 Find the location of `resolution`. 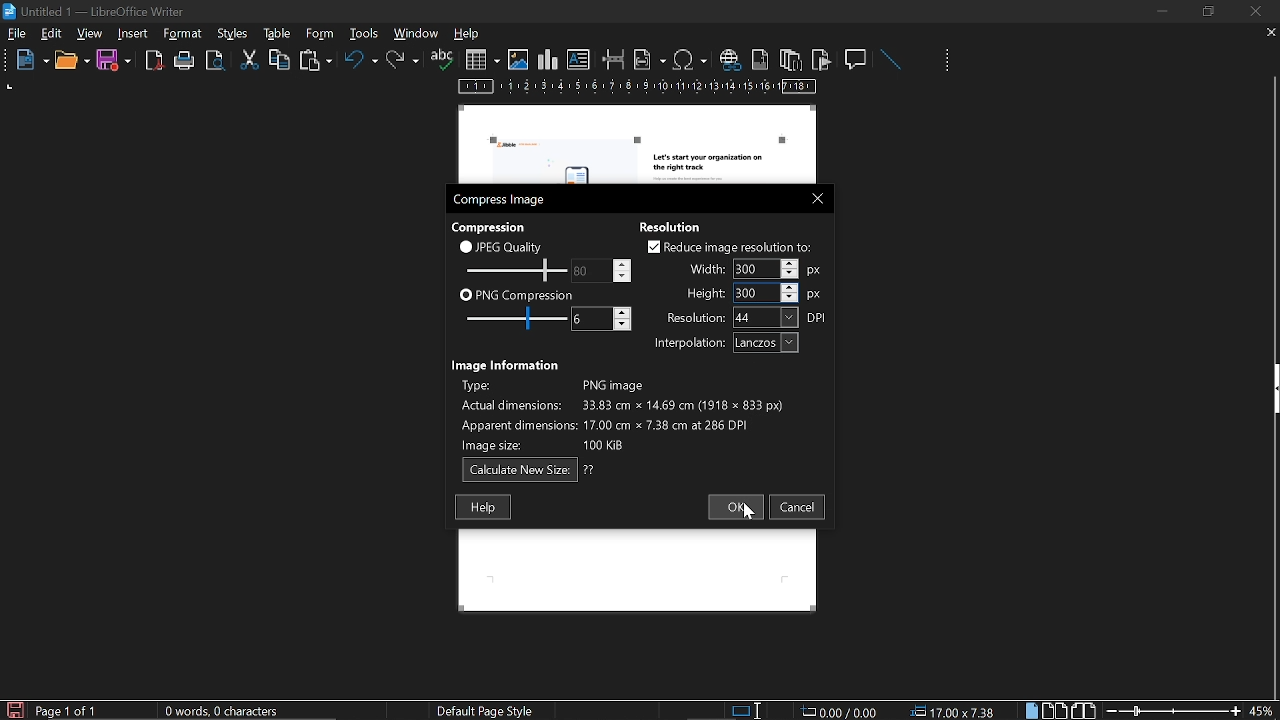

resolution is located at coordinates (748, 317).